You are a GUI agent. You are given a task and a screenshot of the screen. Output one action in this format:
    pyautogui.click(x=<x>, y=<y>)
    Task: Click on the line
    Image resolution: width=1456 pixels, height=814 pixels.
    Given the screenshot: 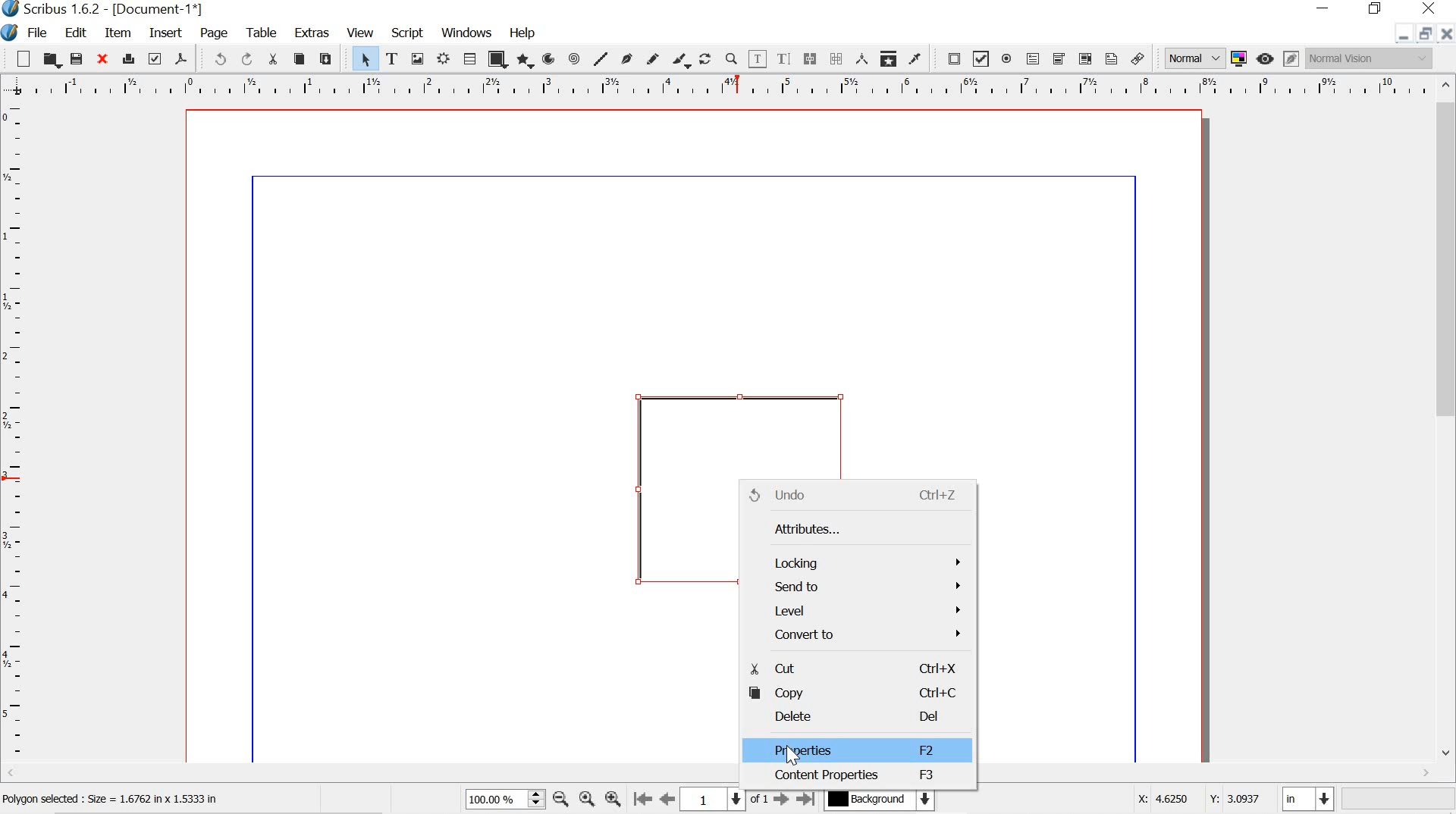 What is the action you would take?
    pyautogui.click(x=601, y=58)
    